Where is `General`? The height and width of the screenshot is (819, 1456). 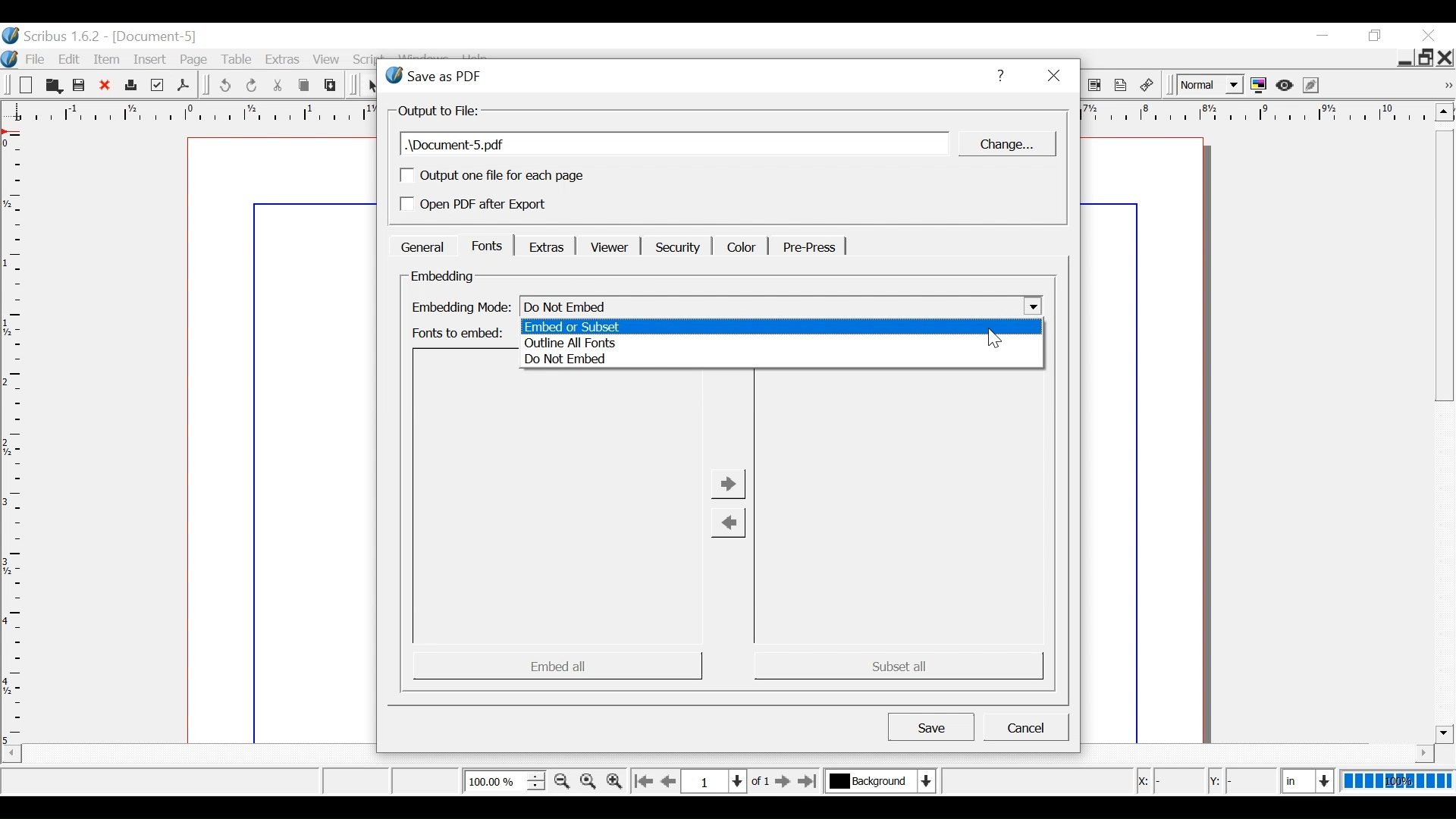
General is located at coordinates (422, 246).